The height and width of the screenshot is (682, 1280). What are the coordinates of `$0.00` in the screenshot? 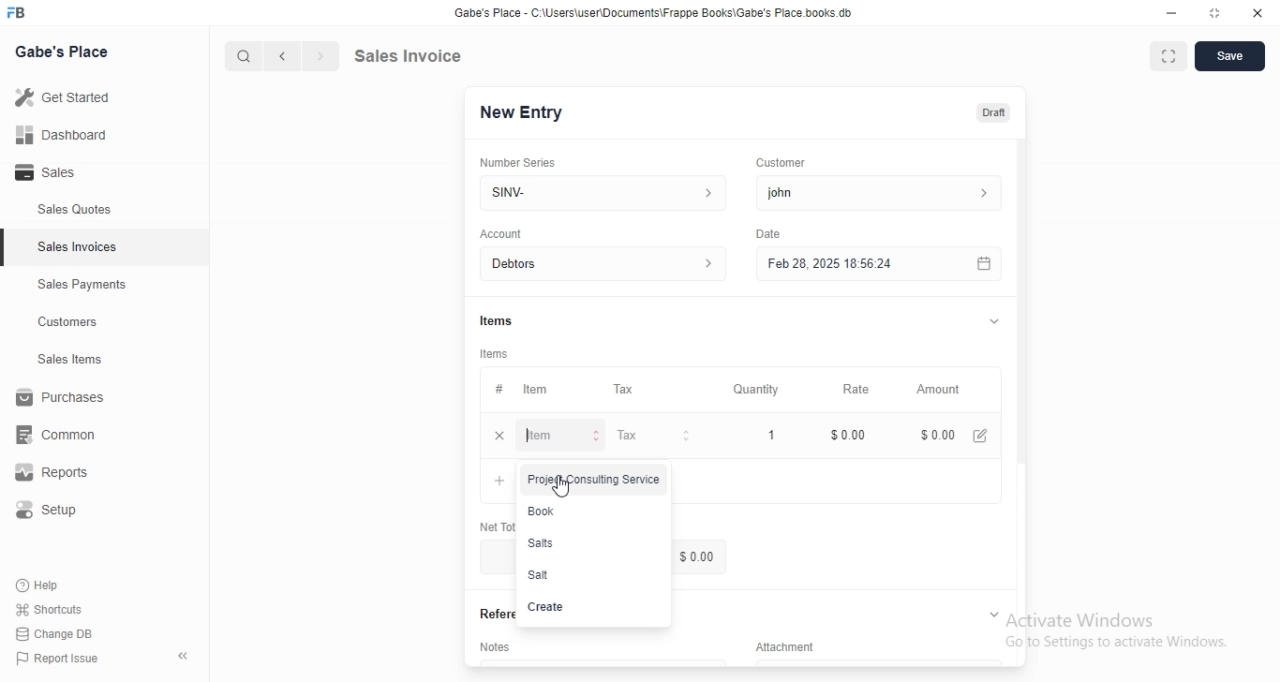 It's located at (851, 435).